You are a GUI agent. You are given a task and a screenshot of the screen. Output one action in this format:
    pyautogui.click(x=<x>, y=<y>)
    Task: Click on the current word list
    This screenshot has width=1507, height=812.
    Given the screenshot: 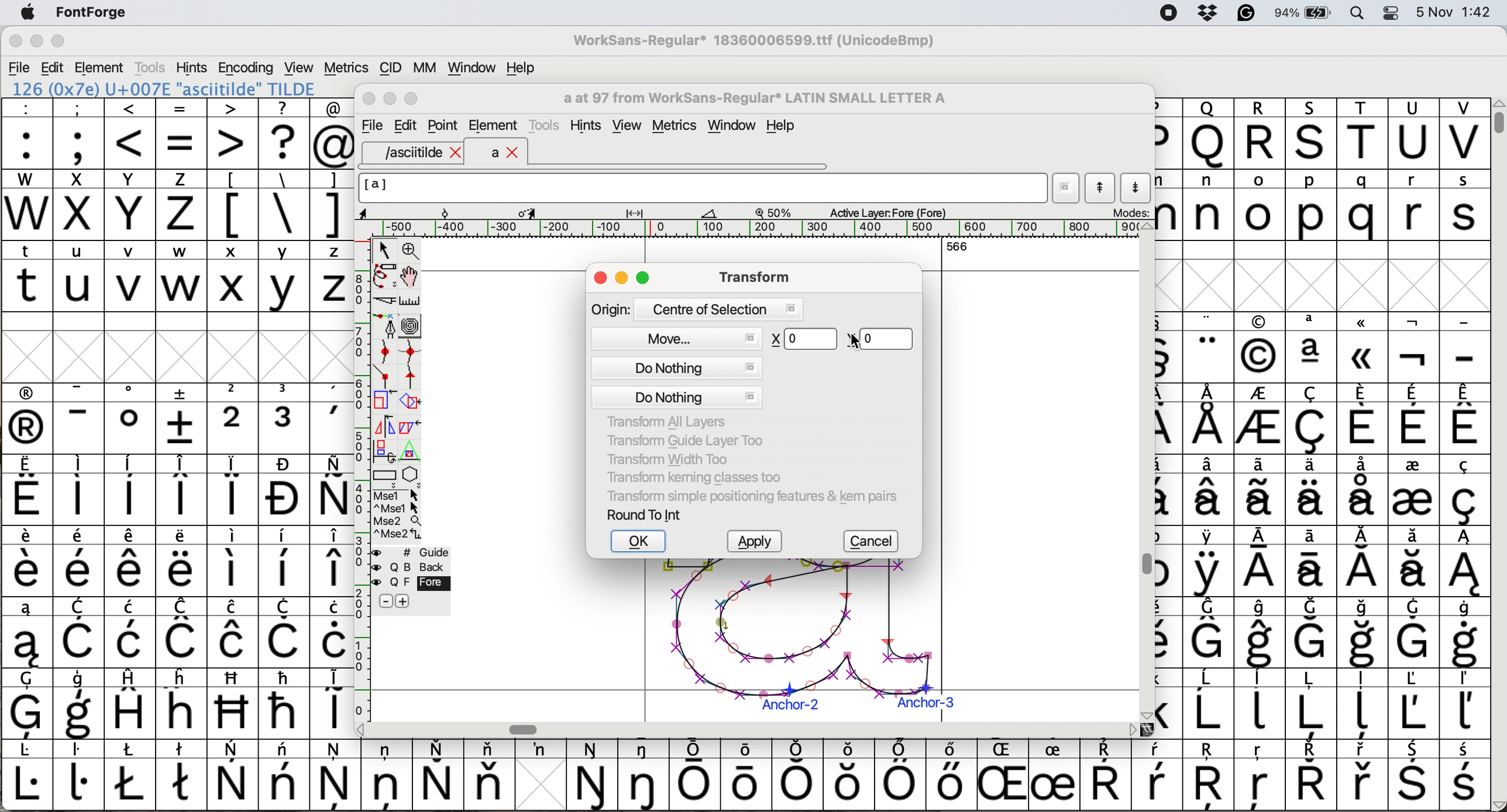 What is the action you would take?
    pyautogui.click(x=1066, y=190)
    